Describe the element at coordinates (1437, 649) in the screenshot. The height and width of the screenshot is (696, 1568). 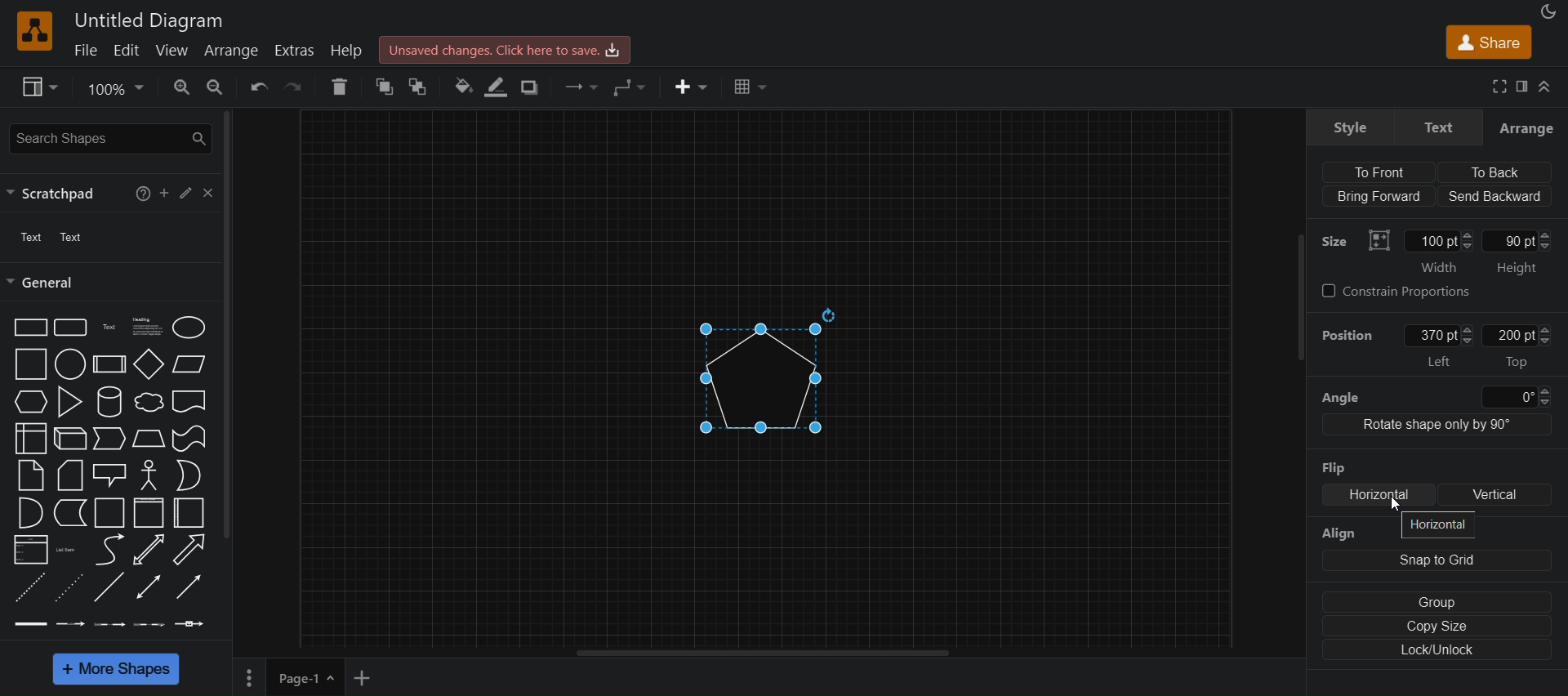
I see `lock/unlock` at that location.